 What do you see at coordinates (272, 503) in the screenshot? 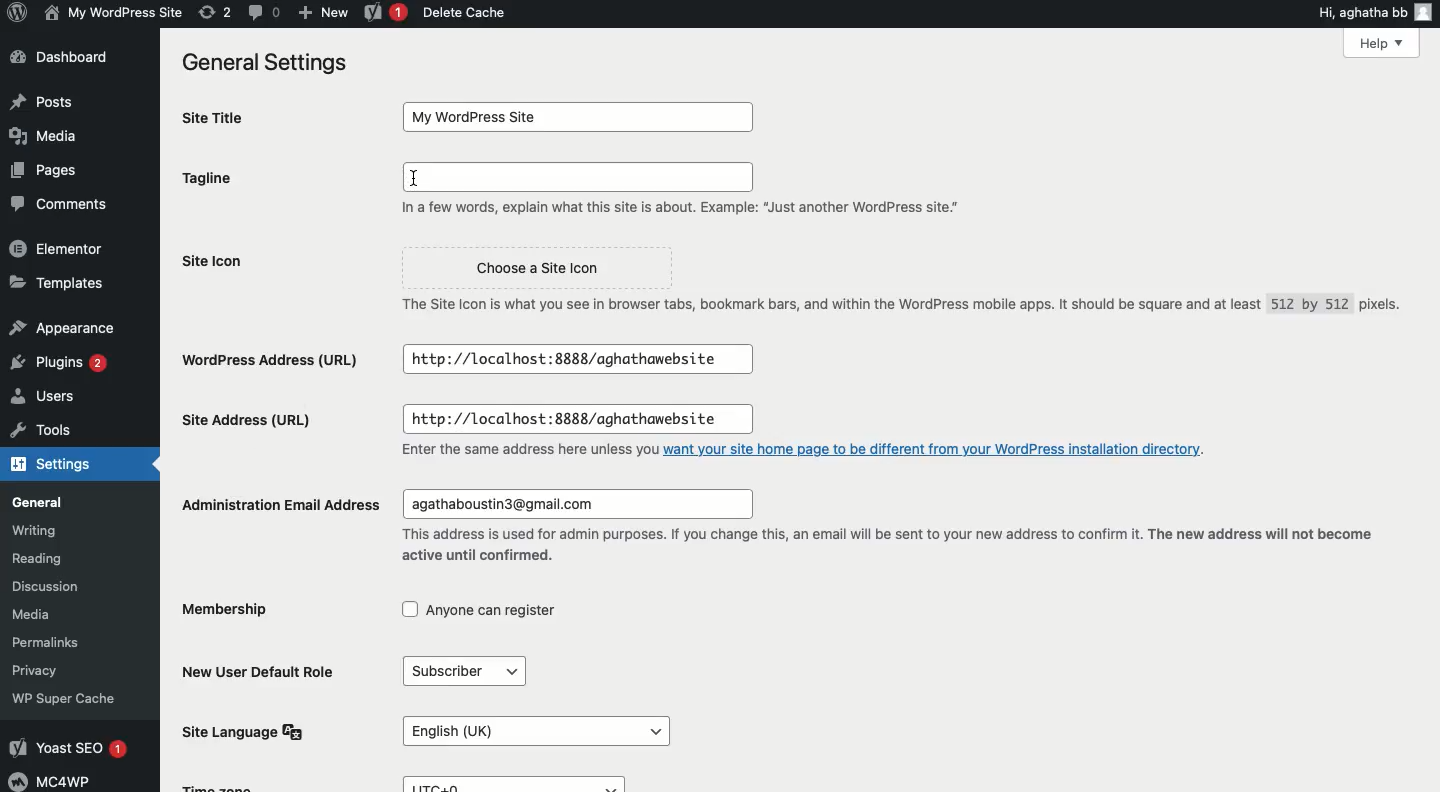
I see `Administration email address ` at bounding box center [272, 503].